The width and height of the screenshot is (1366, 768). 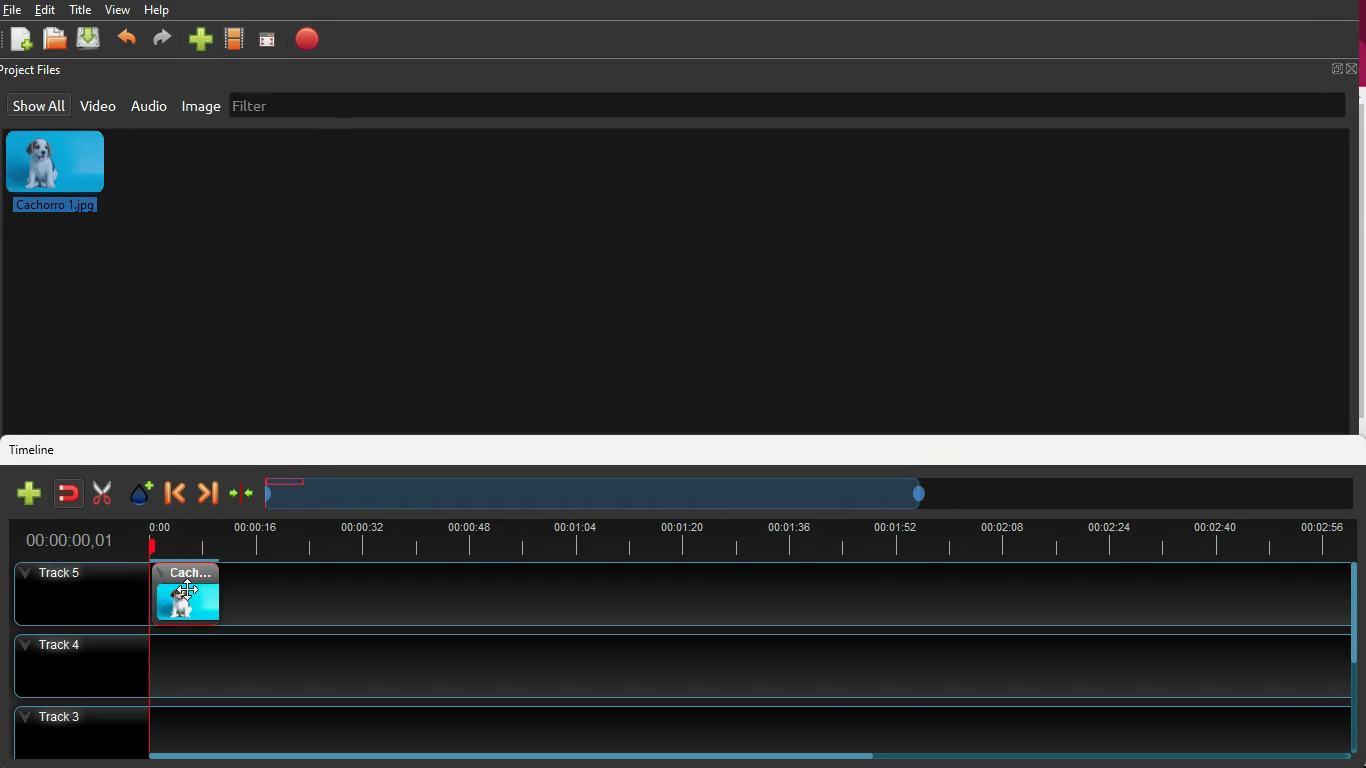 I want to click on help, so click(x=161, y=10).